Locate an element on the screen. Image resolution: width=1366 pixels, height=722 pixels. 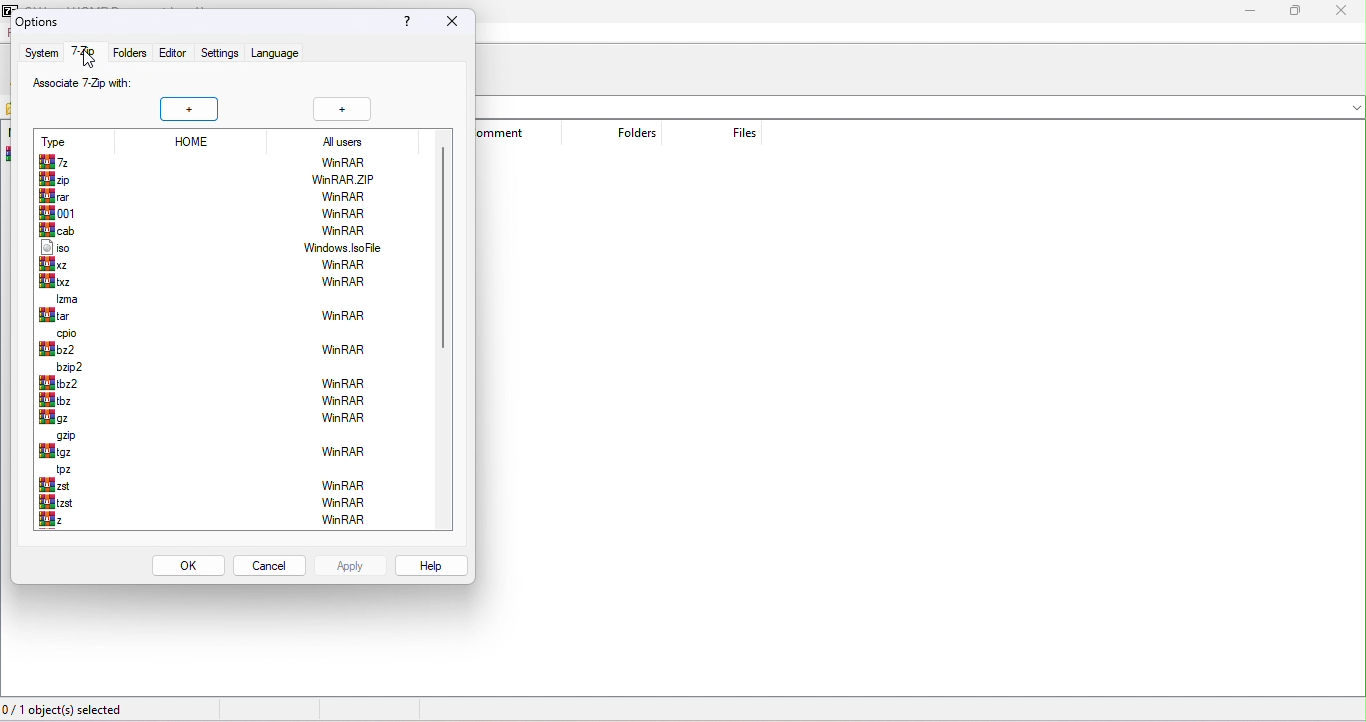
7 zip is located at coordinates (83, 54).